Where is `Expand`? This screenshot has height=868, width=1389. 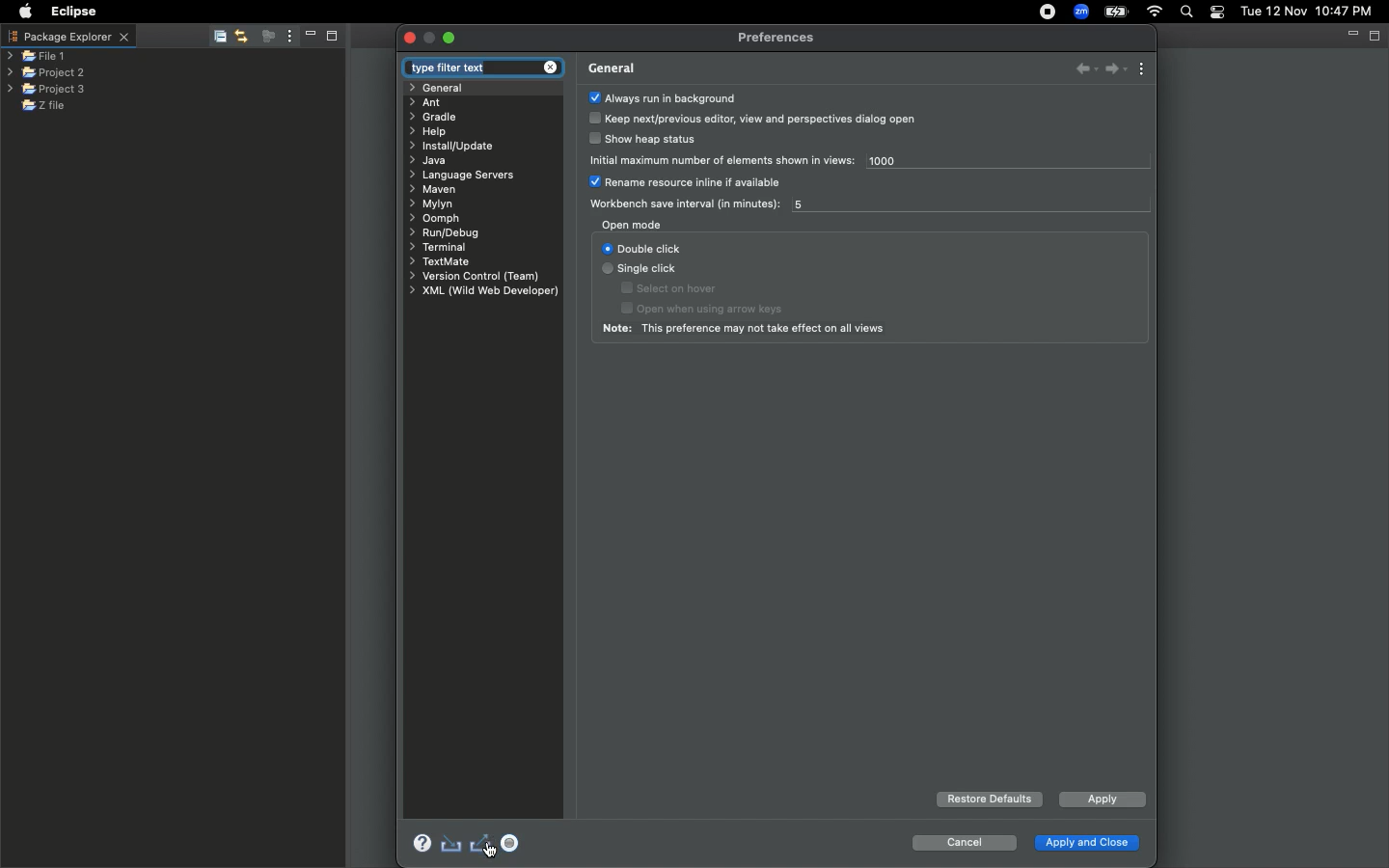 Expand is located at coordinates (449, 39).